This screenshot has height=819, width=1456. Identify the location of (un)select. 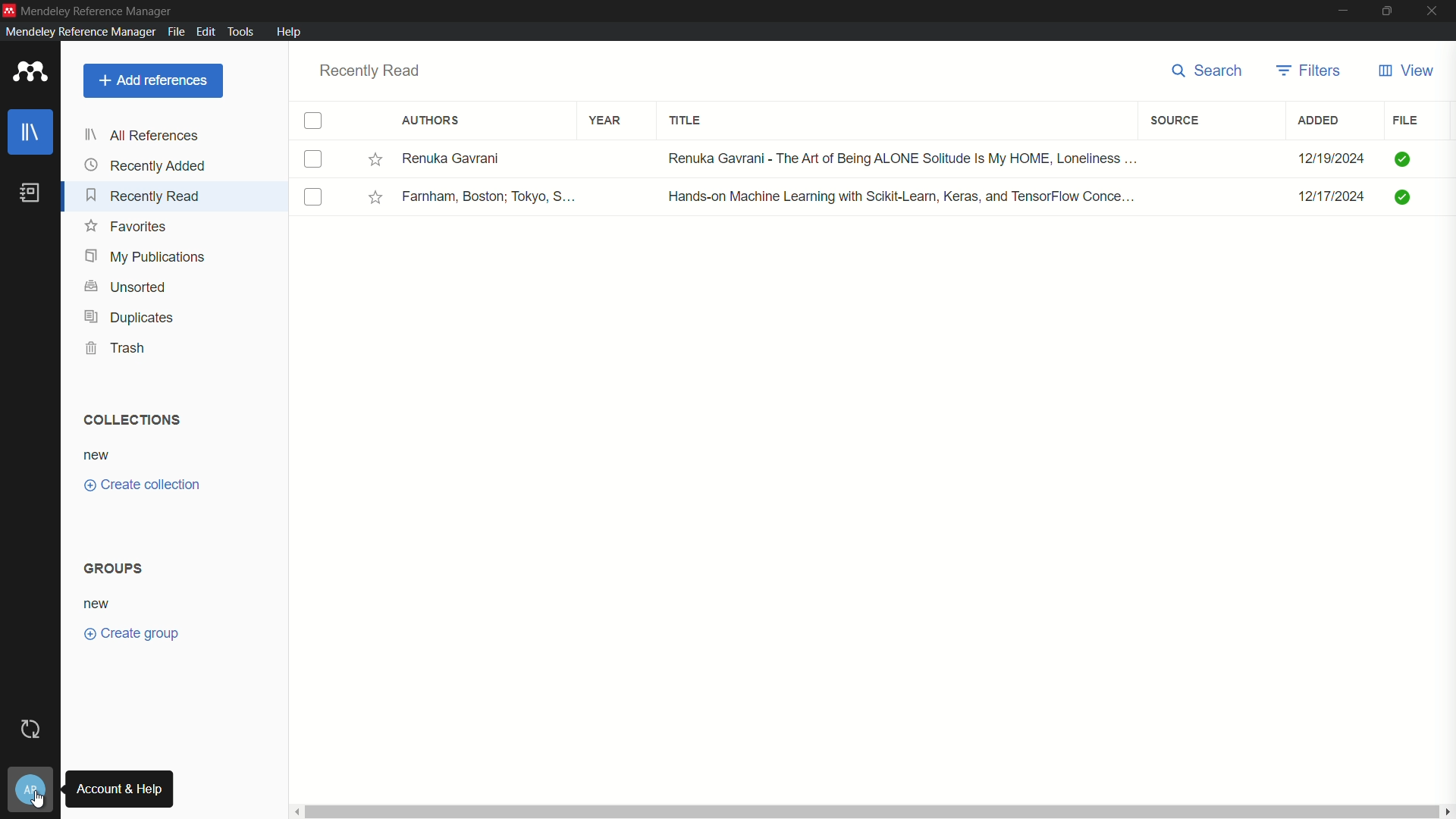
(312, 196).